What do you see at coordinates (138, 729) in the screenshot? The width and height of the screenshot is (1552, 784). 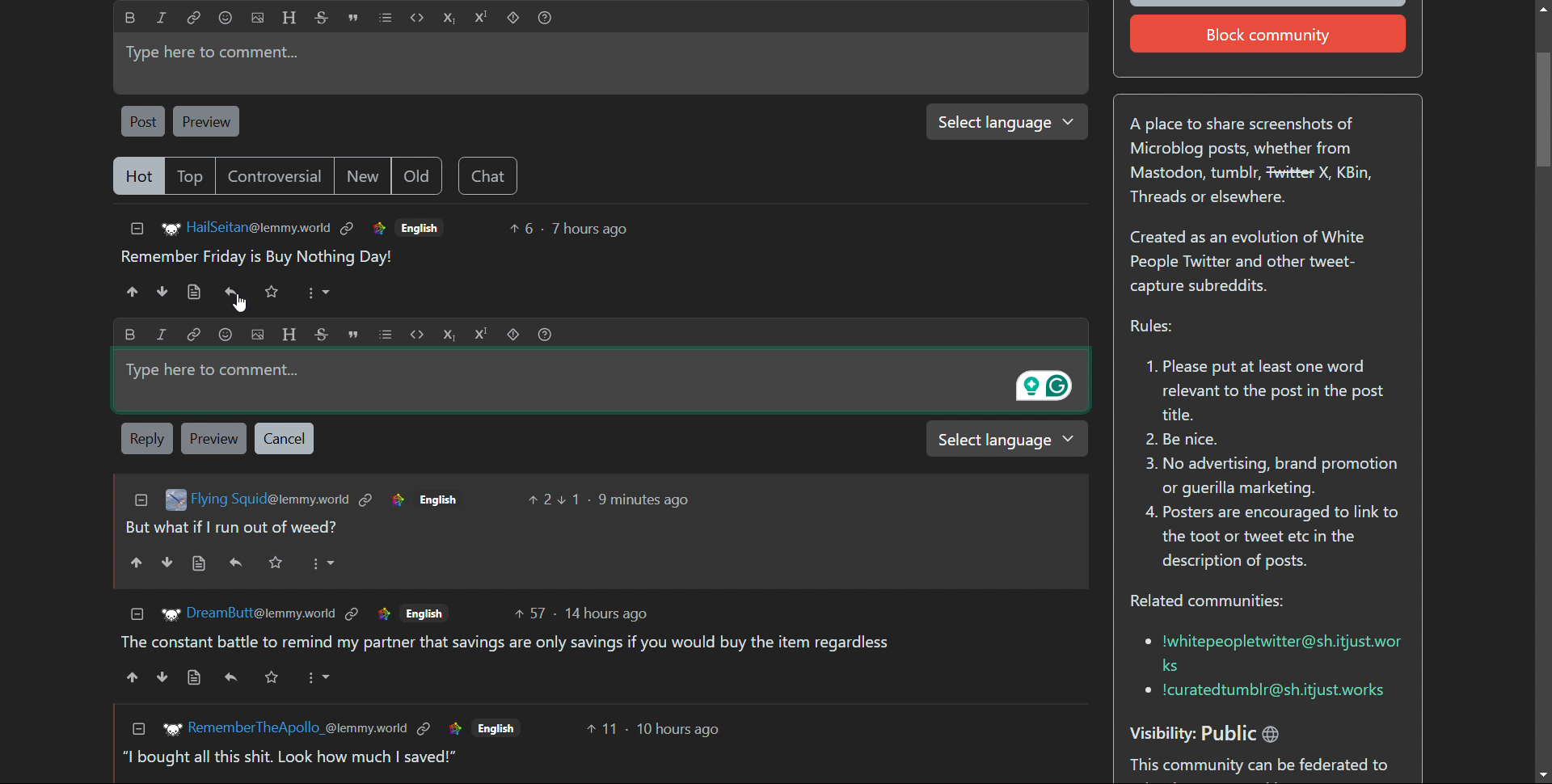 I see `collapse` at bounding box center [138, 729].